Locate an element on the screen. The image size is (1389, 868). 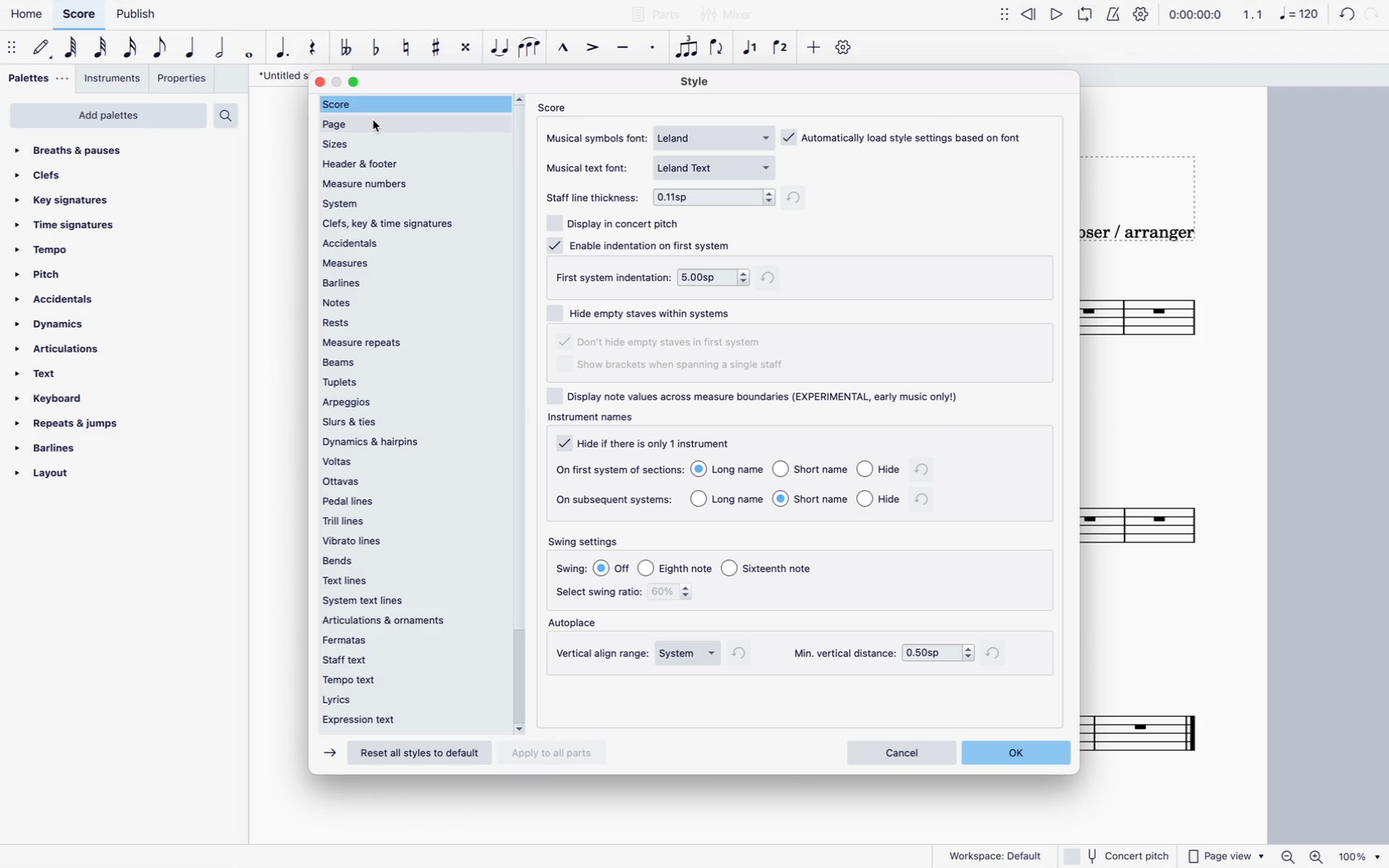
staff text is located at coordinates (401, 658).